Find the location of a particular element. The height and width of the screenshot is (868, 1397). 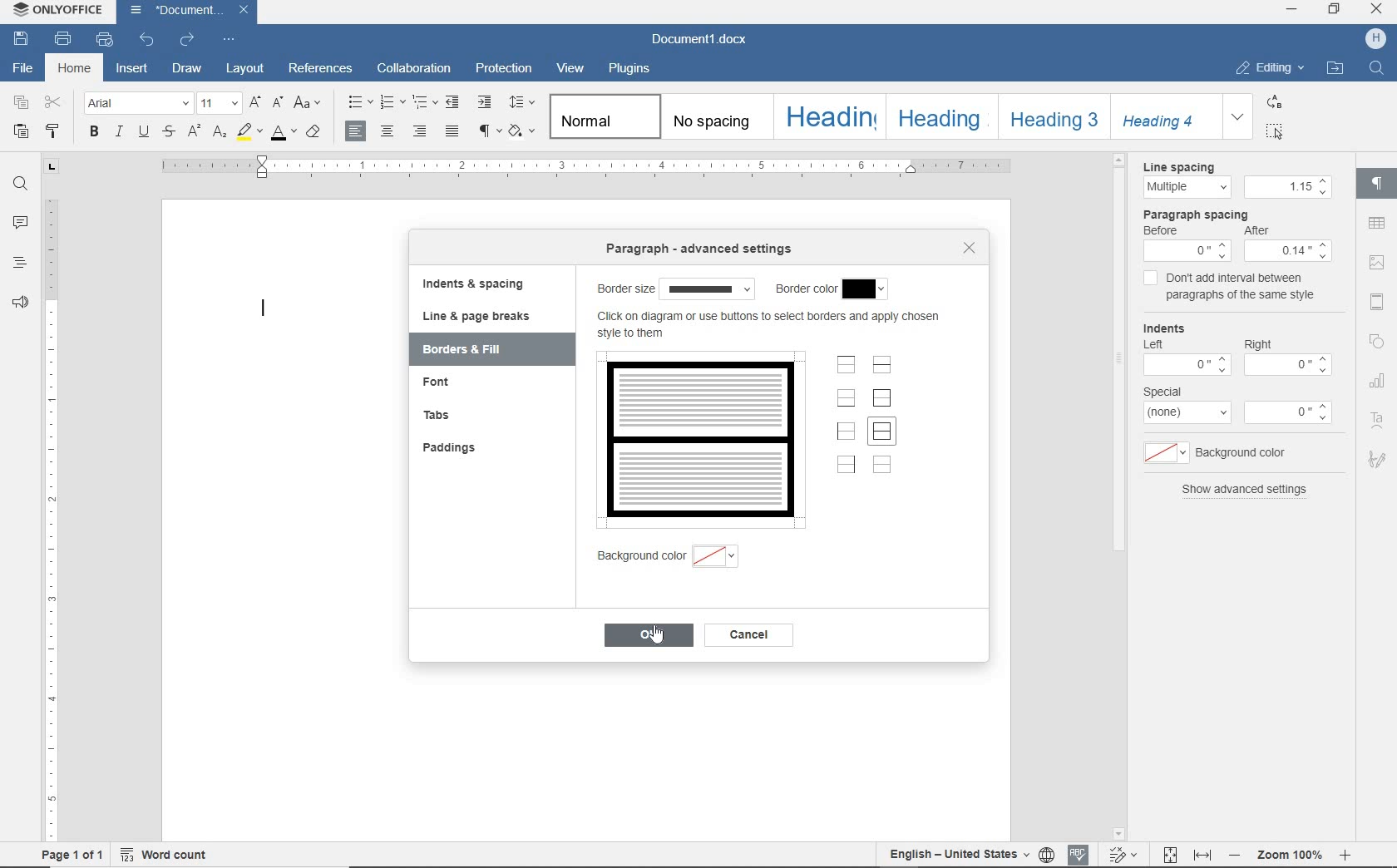

Indents: Left-0 Right-0 is located at coordinates (1237, 350).